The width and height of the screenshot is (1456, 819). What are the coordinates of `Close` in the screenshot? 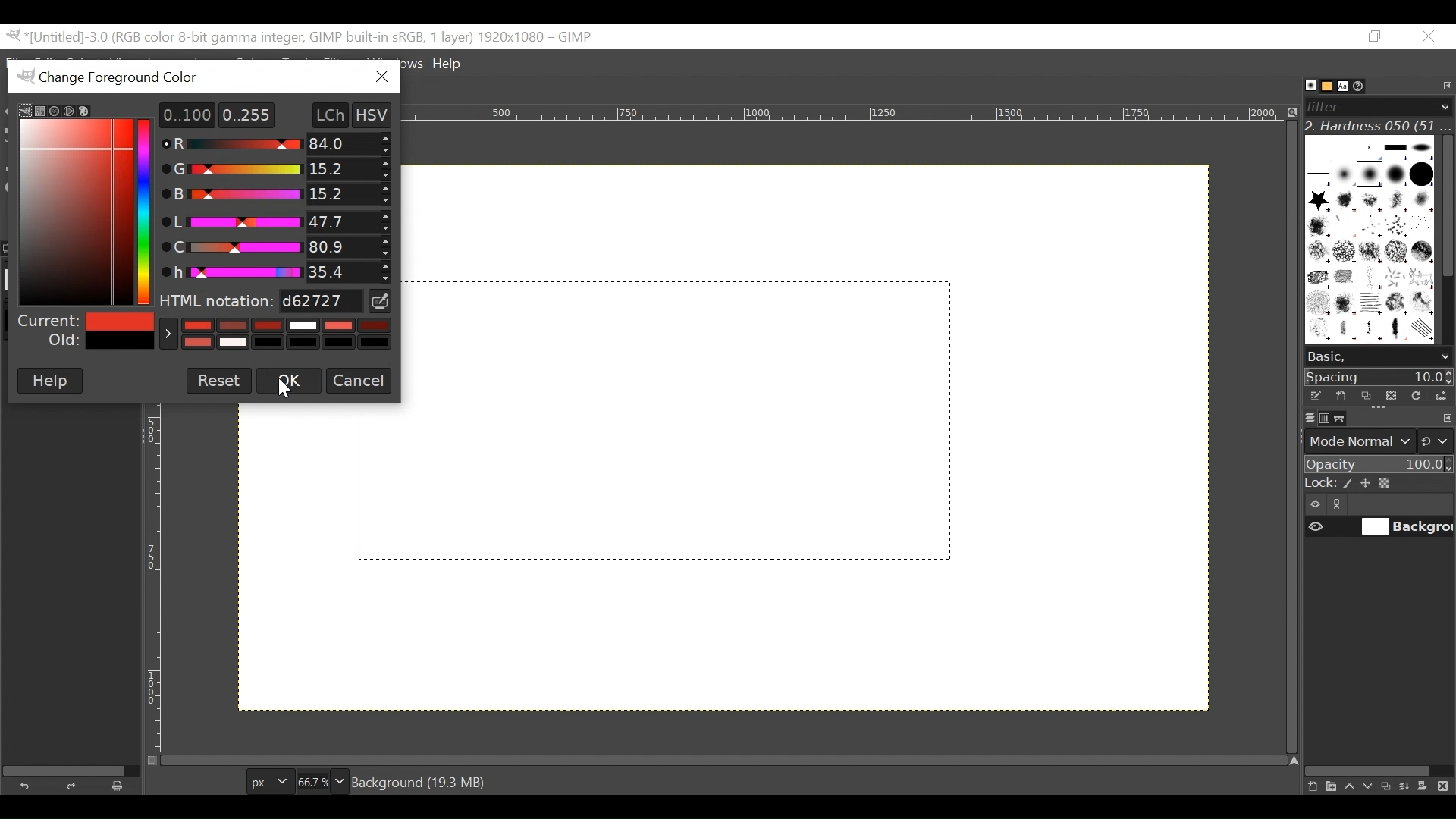 It's located at (381, 77).